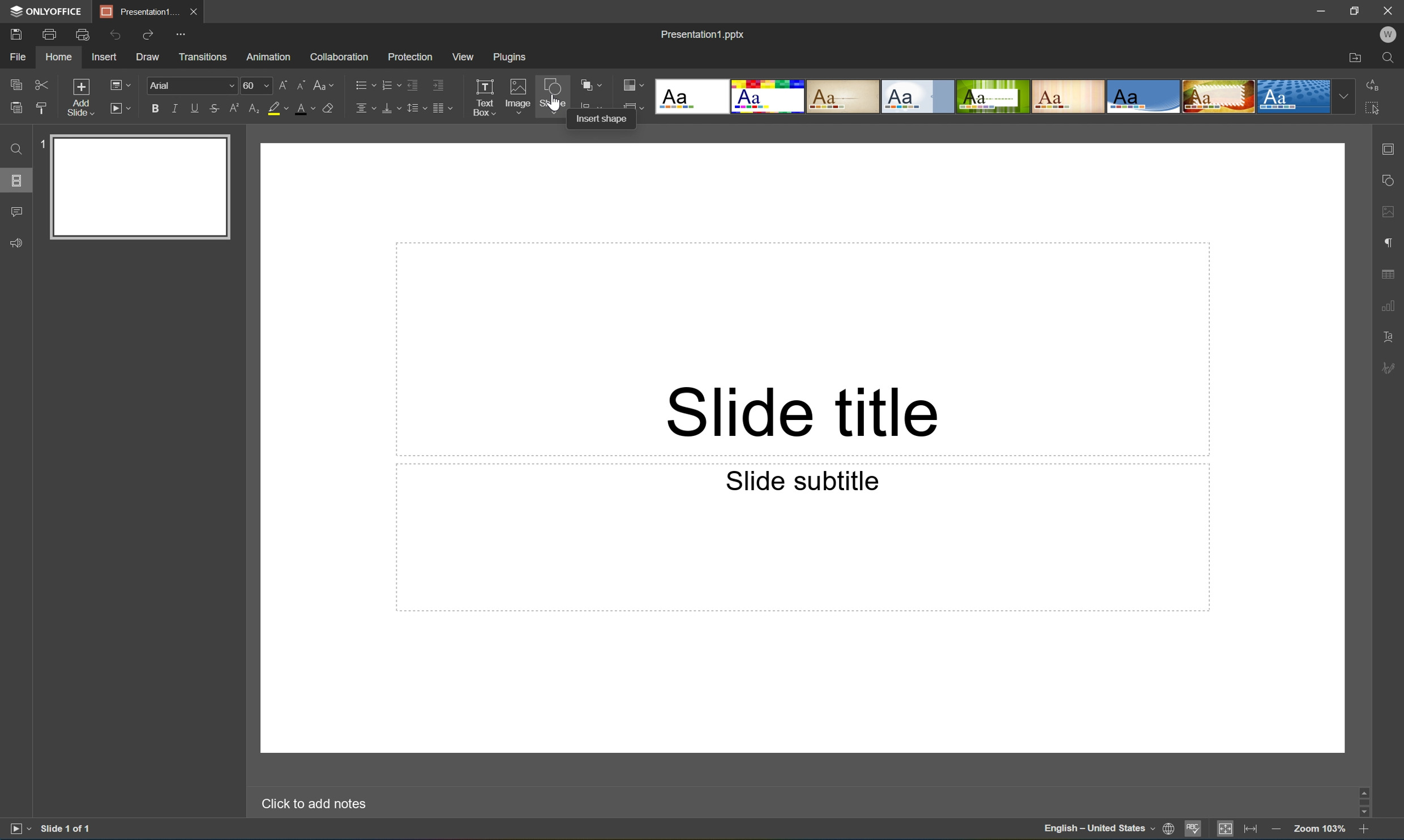 This screenshot has width=1404, height=840. What do you see at coordinates (1391, 149) in the screenshot?
I see `slide settings` at bounding box center [1391, 149].